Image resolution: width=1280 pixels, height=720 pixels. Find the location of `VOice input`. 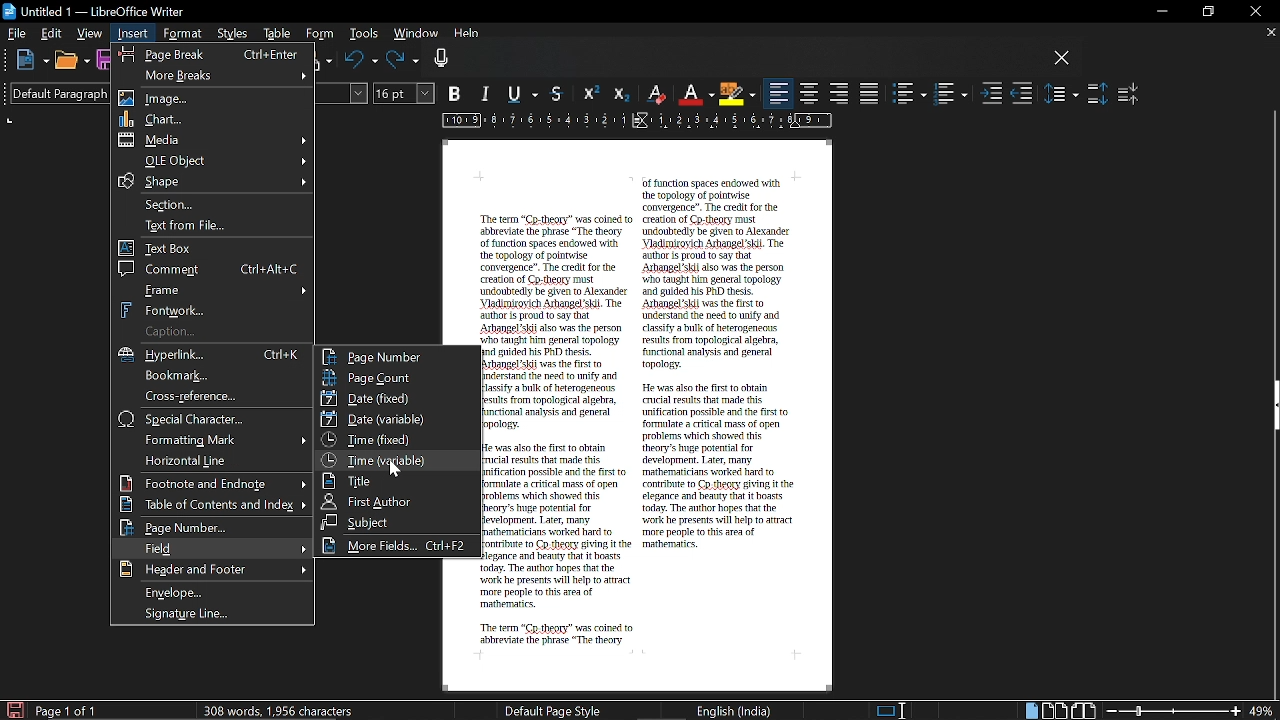

VOice input is located at coordinates (739, 61).